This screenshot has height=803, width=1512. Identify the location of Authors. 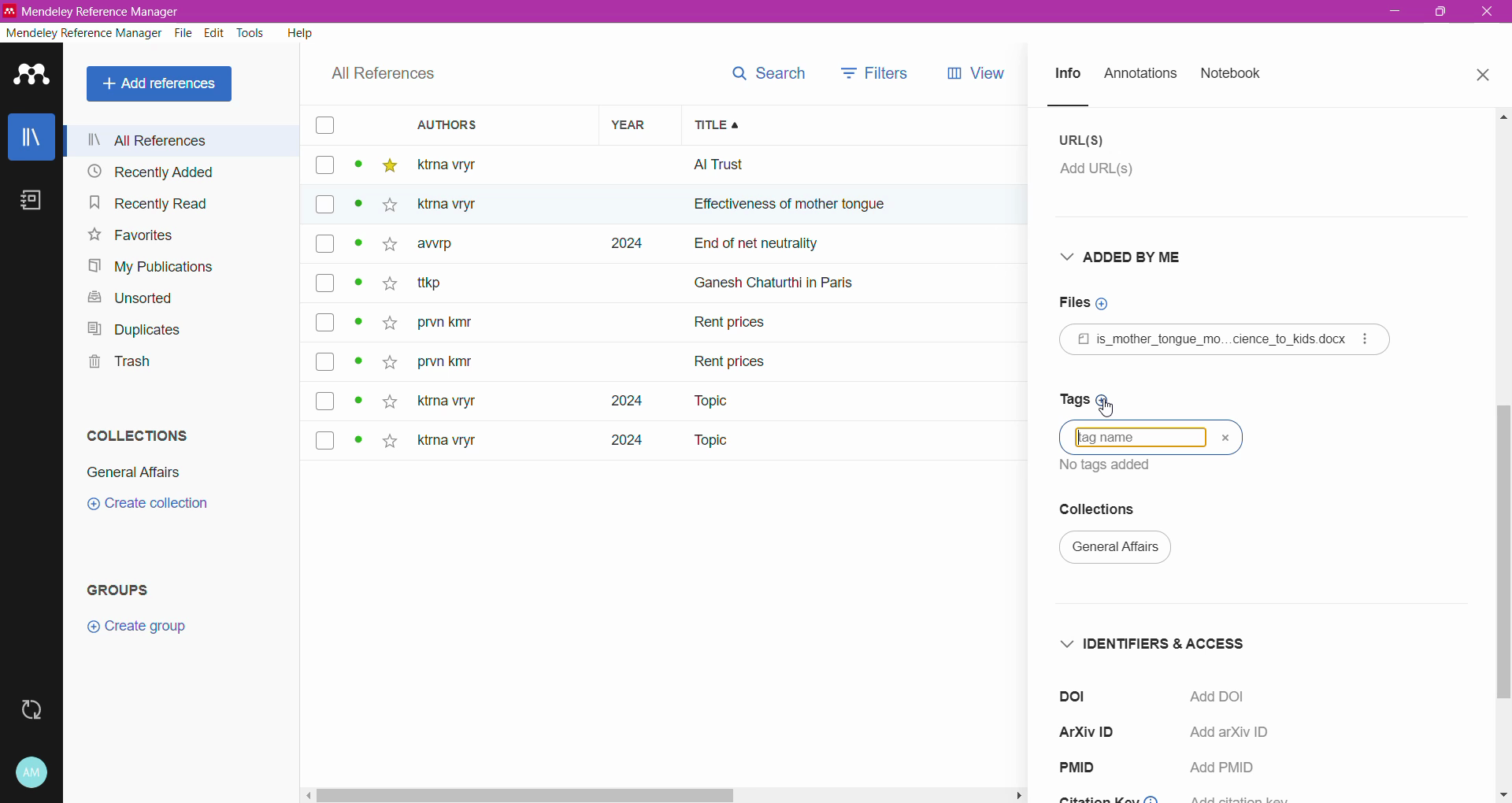
(486, 124).